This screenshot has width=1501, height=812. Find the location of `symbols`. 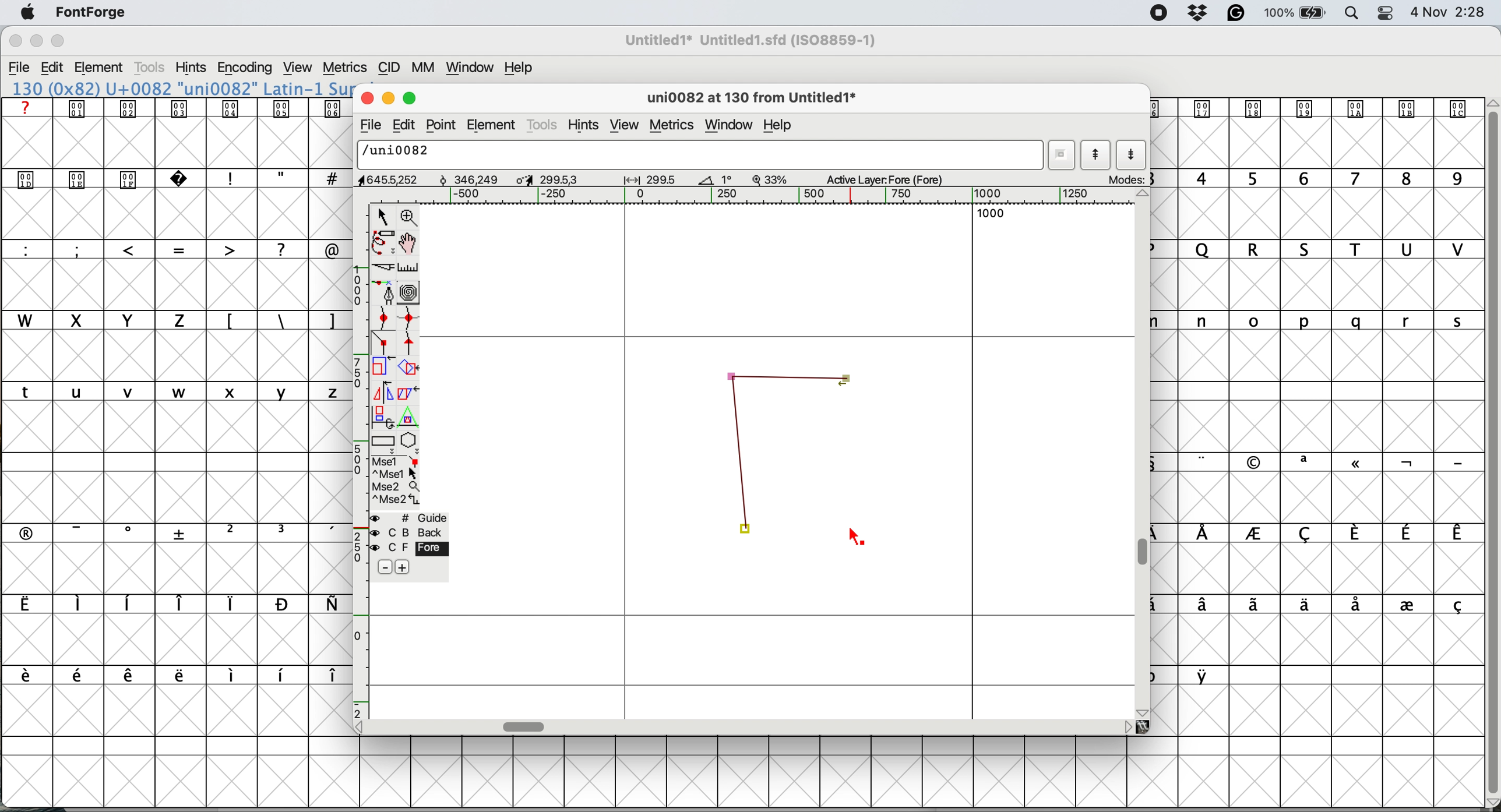

symbols is located at coordinates (172, 604).